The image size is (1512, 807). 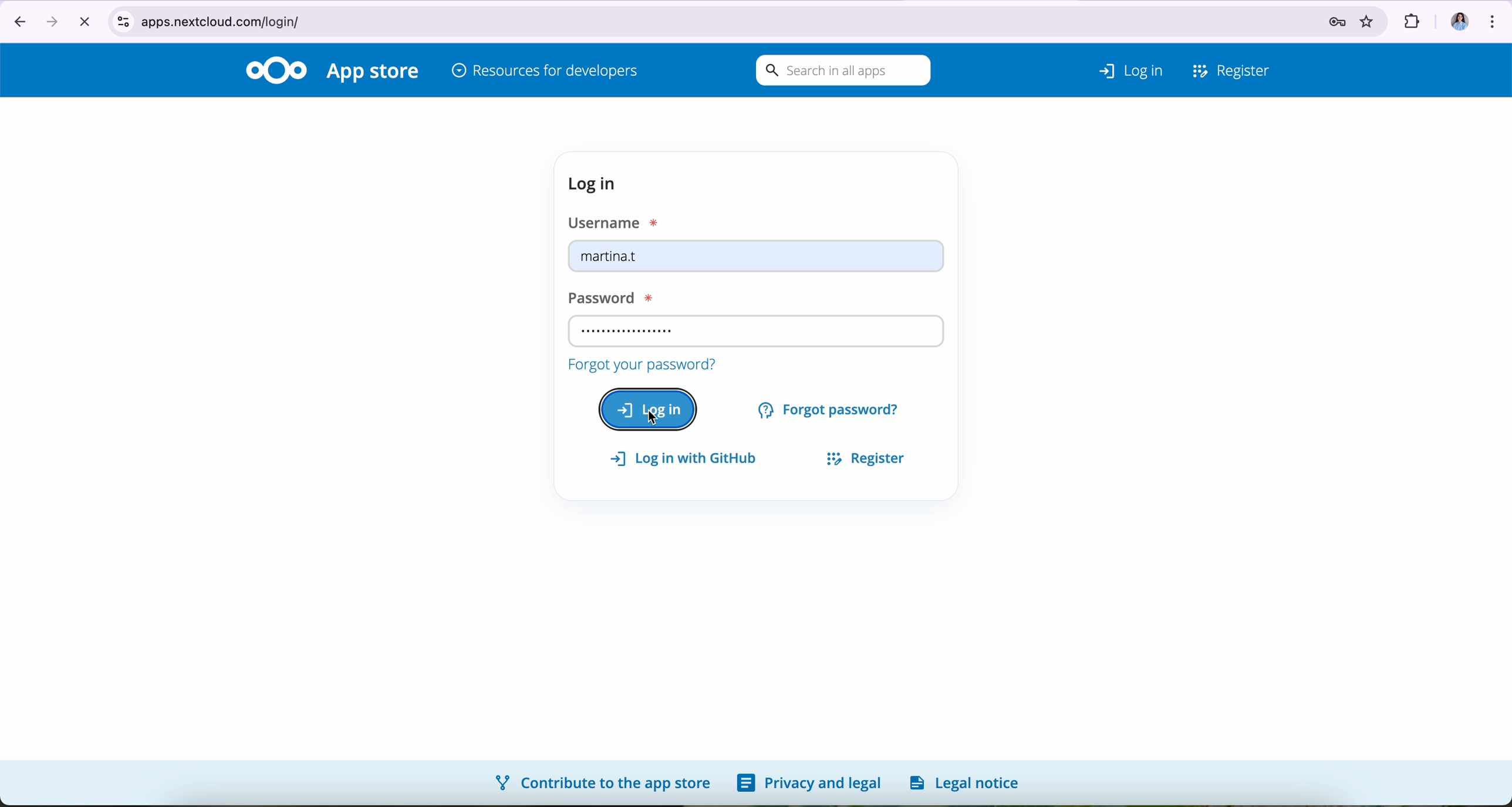 What do you see at coordinates (640, 363) in the screenshot?
I see `forgot your password` at bounding box center [640, 363].